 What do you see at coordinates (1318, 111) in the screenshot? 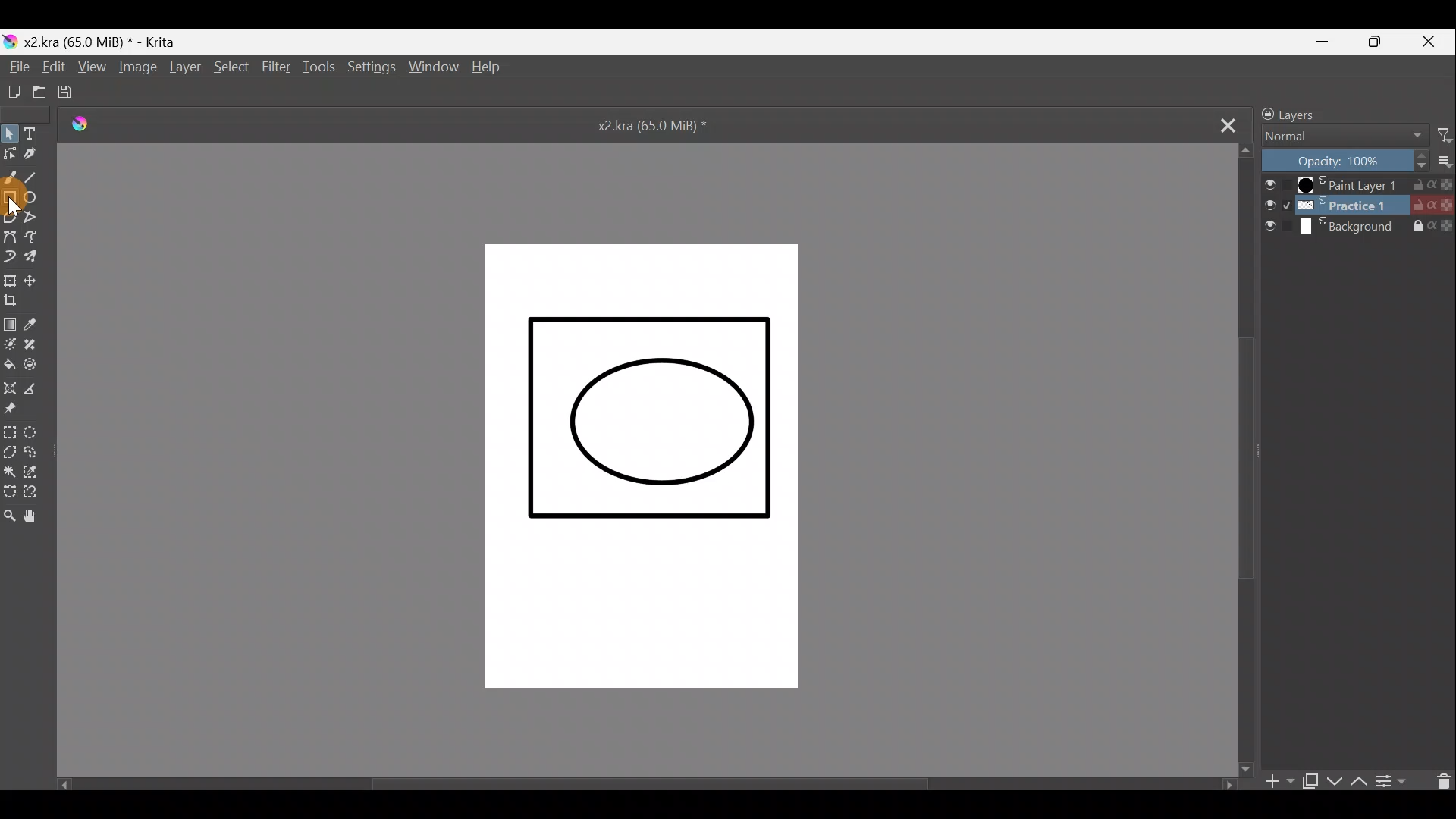
I see `Layers` at bounding box center [1318, 111].